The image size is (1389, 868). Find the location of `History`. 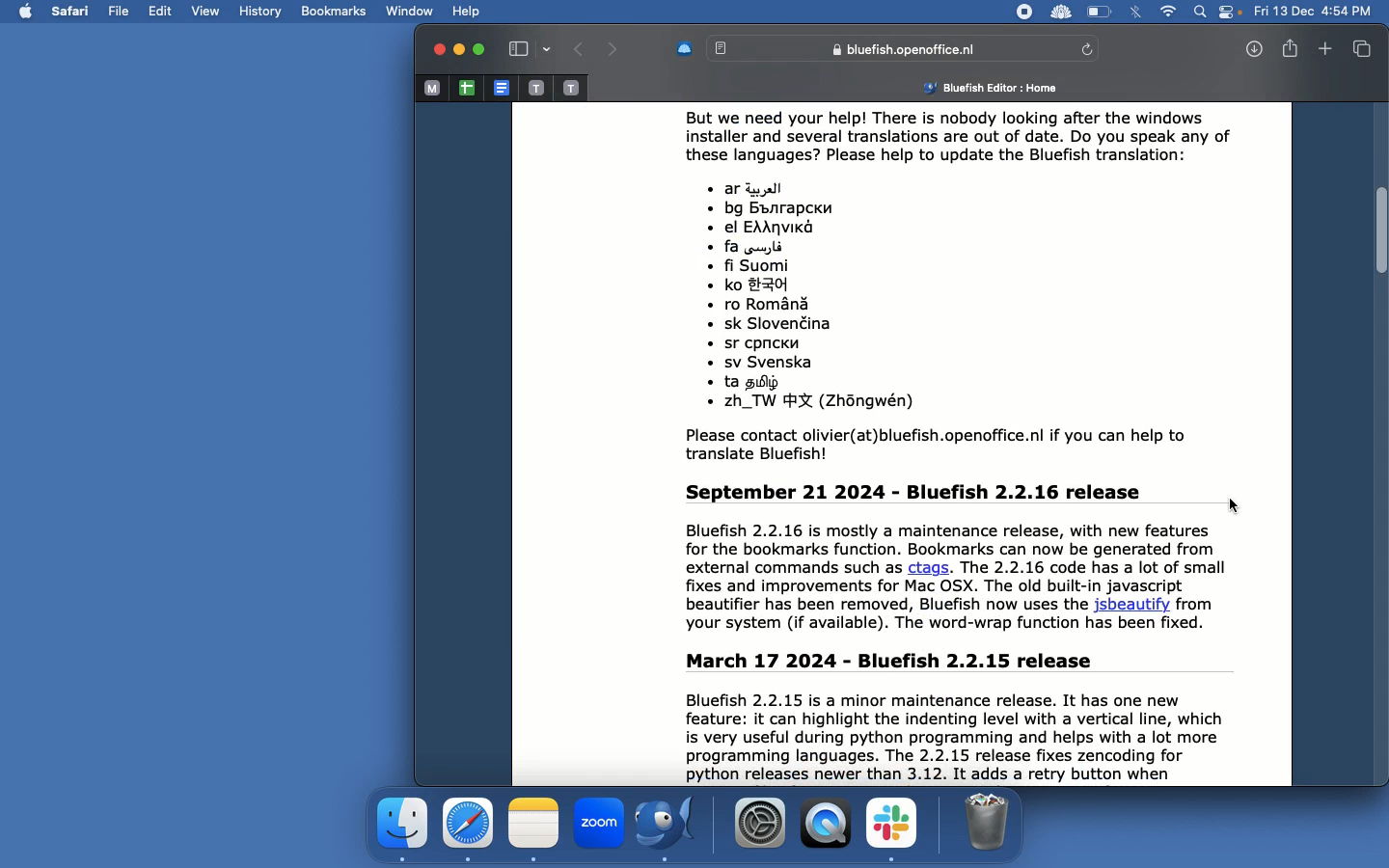

History is located at coordinates (262, 13).